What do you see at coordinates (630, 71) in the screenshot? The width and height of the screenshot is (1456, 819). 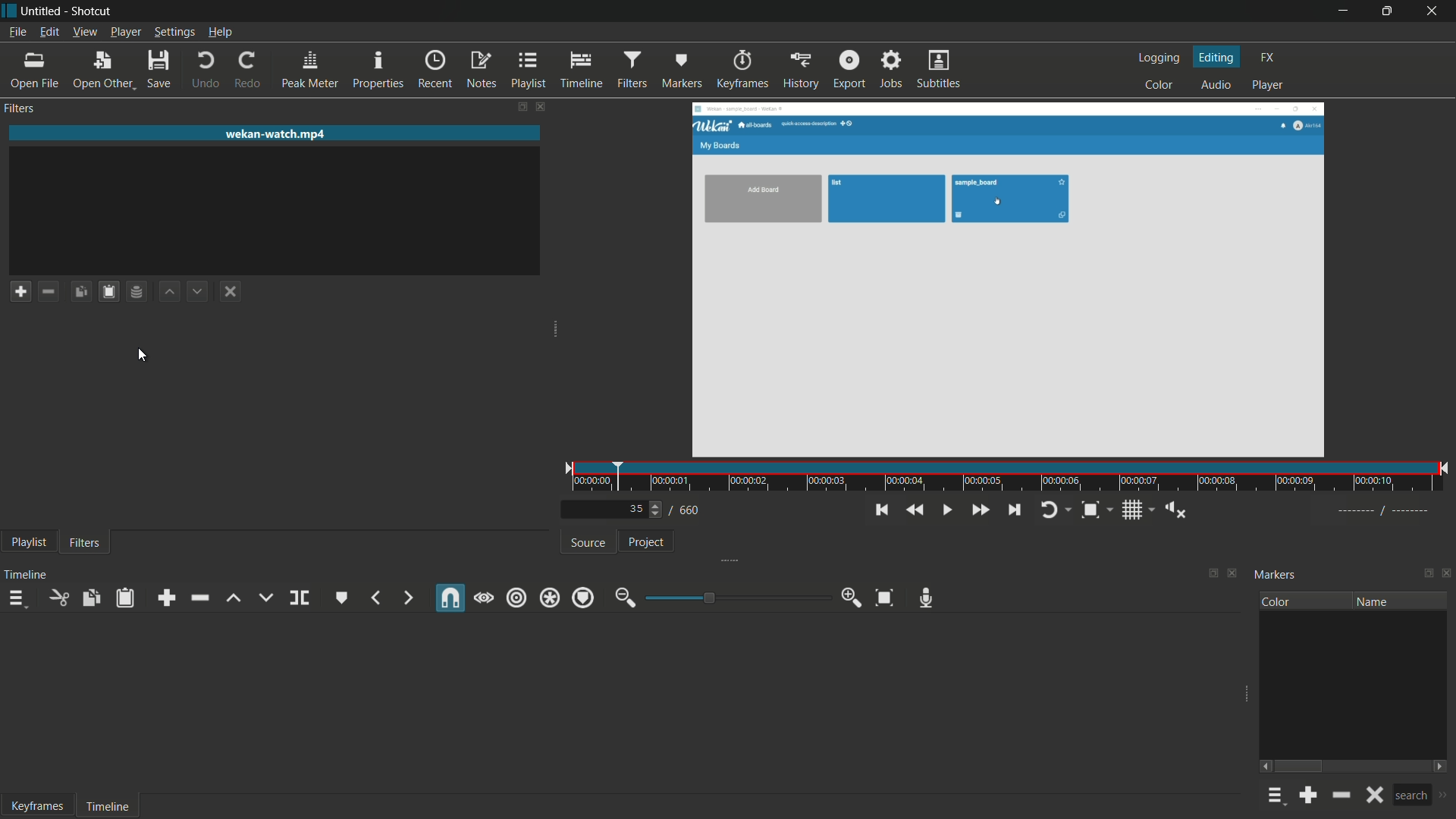 I see `filters` at bounding box center [630, 71].